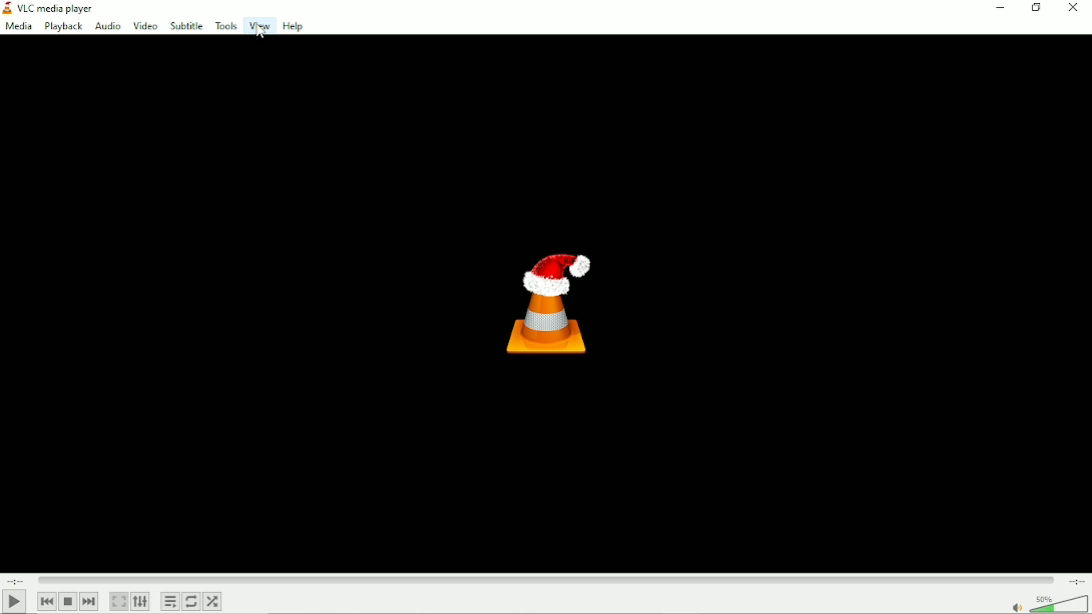 This screenshot has height=614, width=1092. I want to click on Media, so click(19, 26).